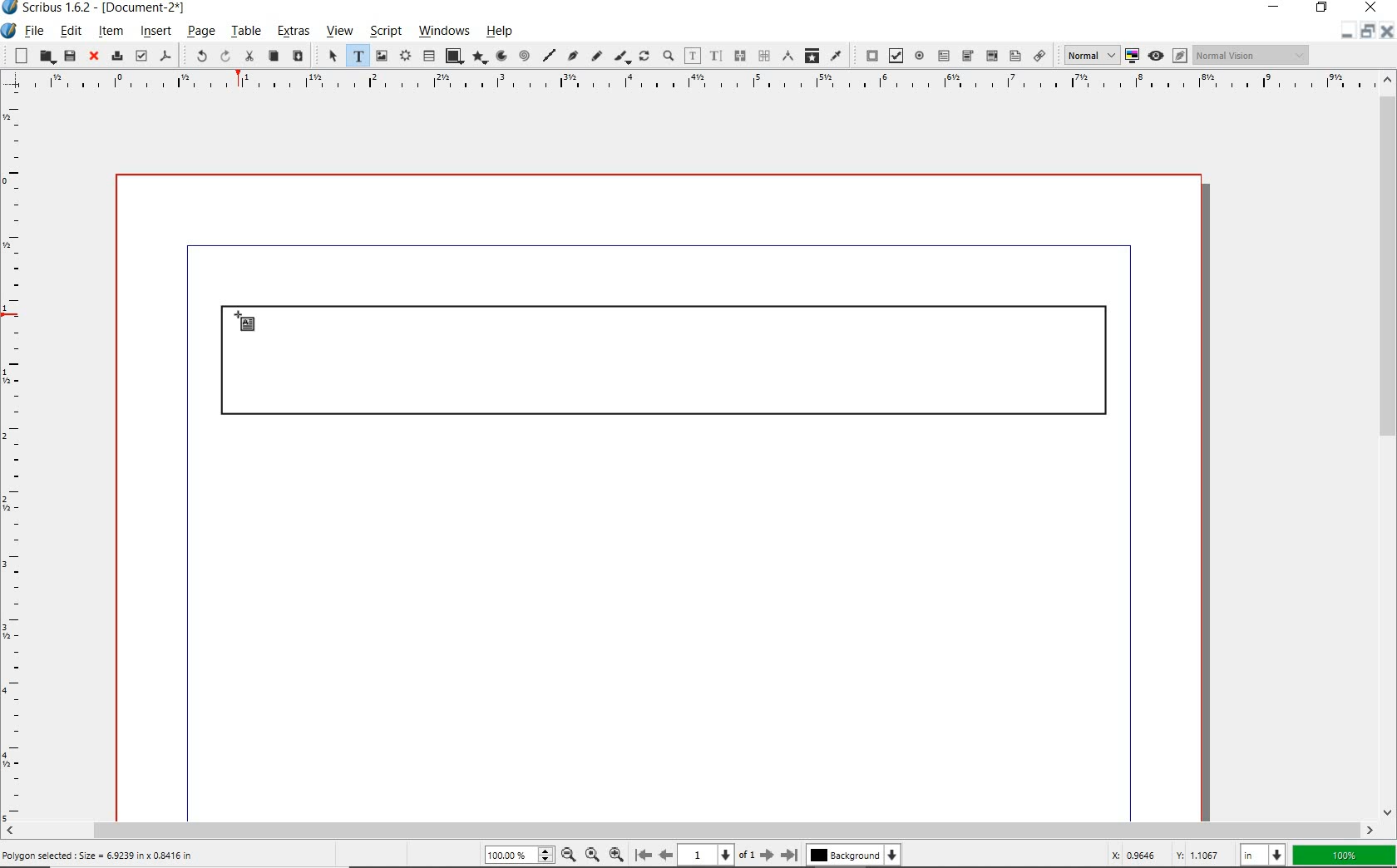 The image size is (1397, 868). I want to click on move to last, so click(792, 852).